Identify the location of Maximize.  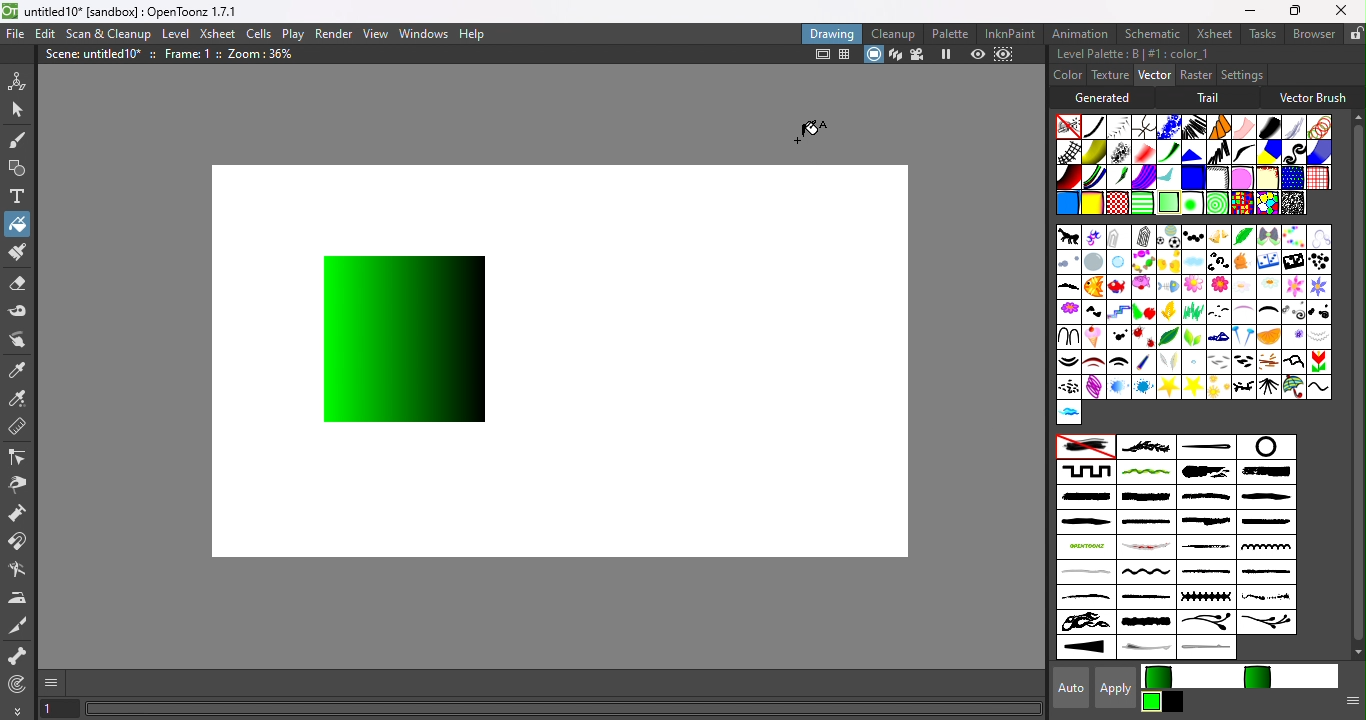
(1292, 12).